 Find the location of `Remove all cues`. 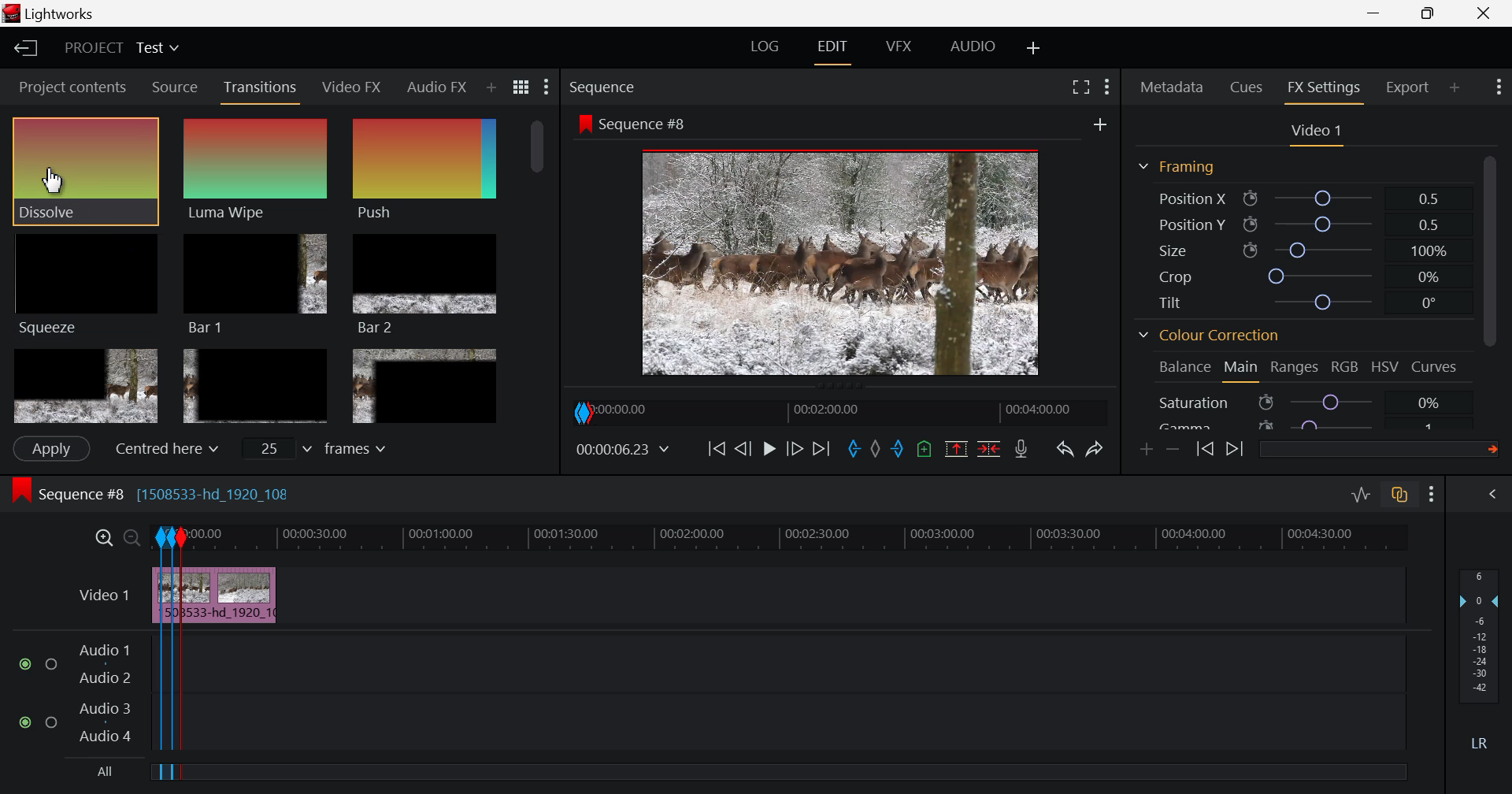

Remove all cues is located at coordinates (922, 448).